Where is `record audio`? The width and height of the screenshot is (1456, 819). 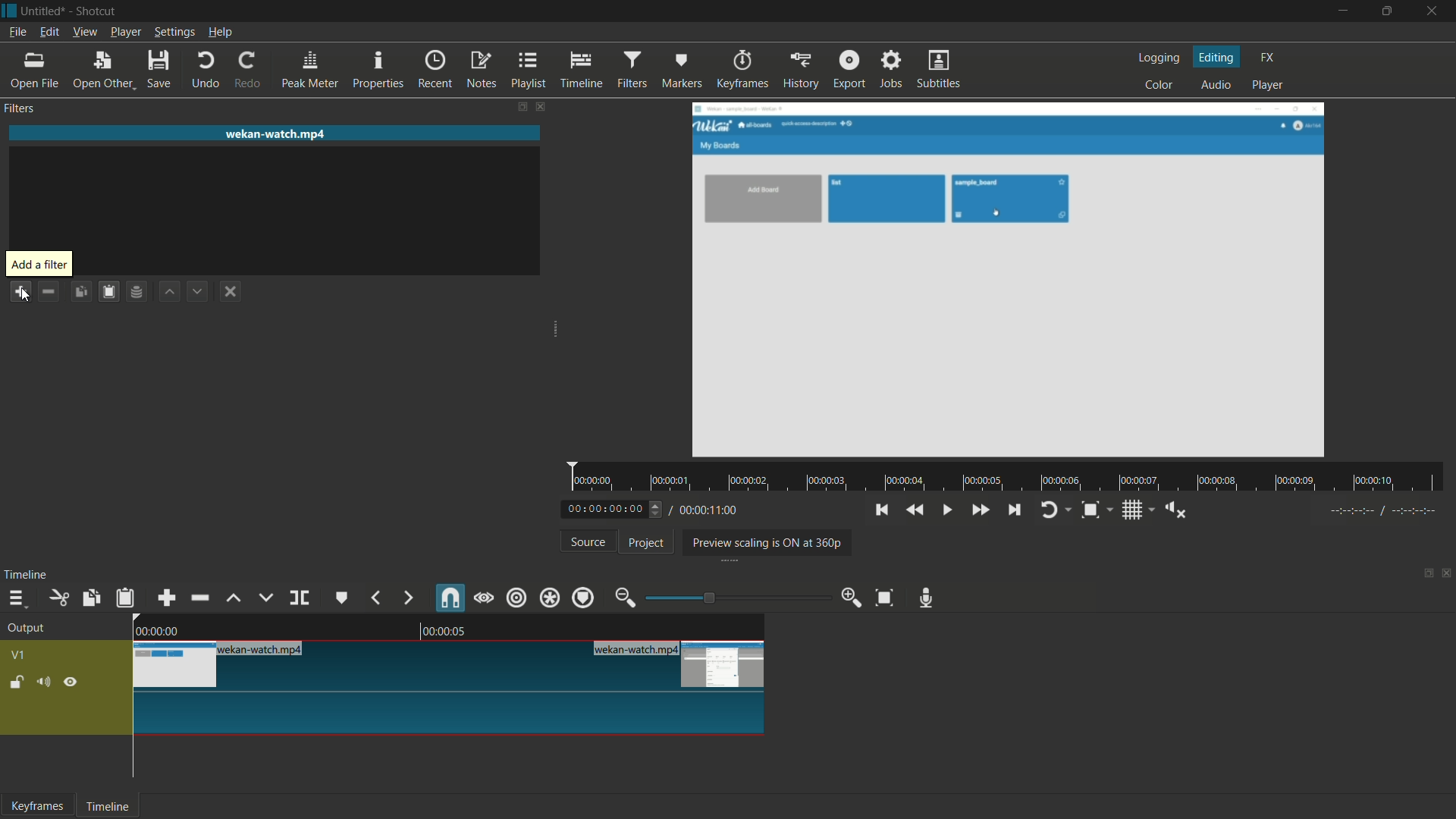
record audio is located at coordinates (927, 598).